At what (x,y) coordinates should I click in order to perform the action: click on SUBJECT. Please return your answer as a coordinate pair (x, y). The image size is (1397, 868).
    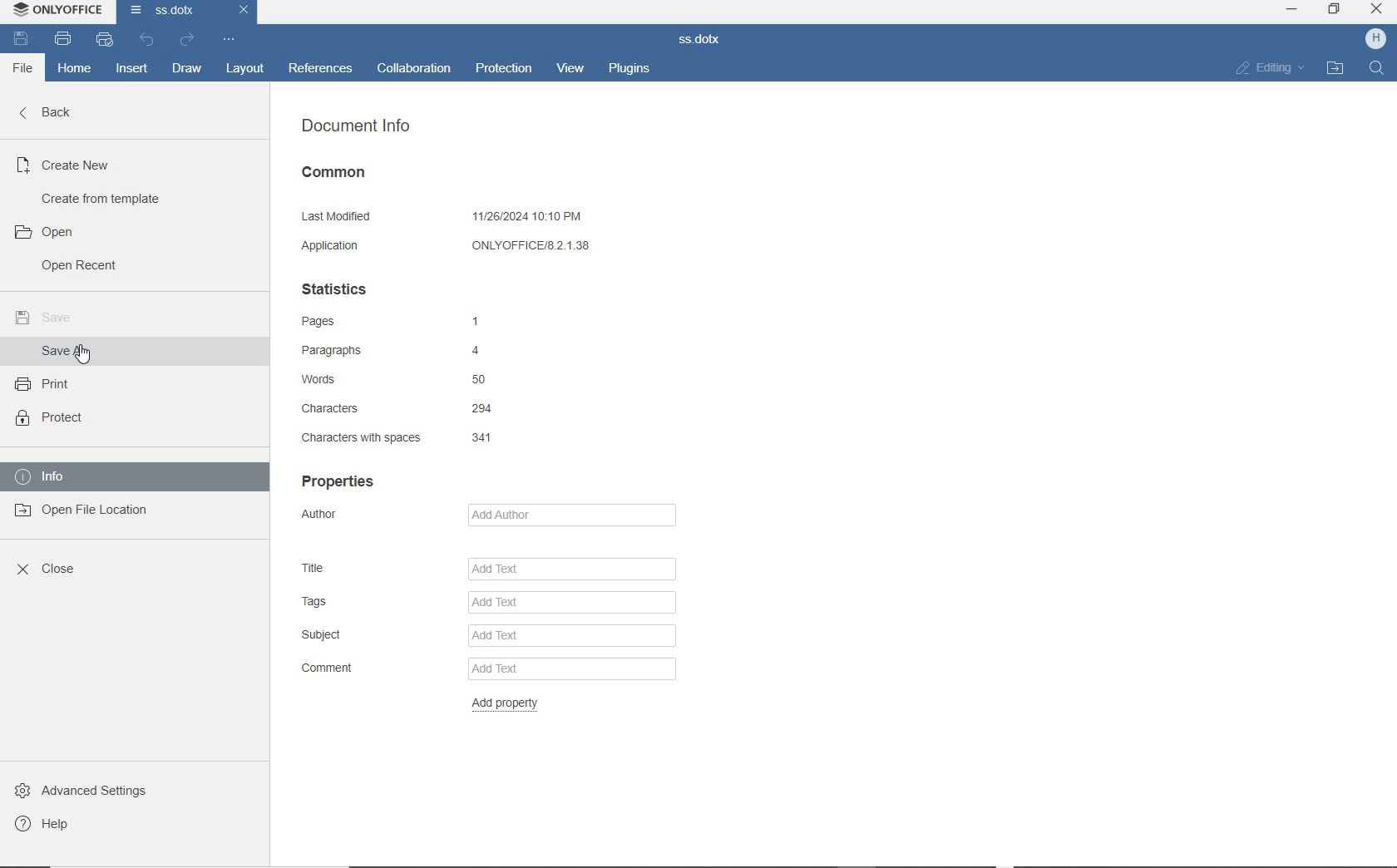
    Looking at the image, I should click on (486, 635).